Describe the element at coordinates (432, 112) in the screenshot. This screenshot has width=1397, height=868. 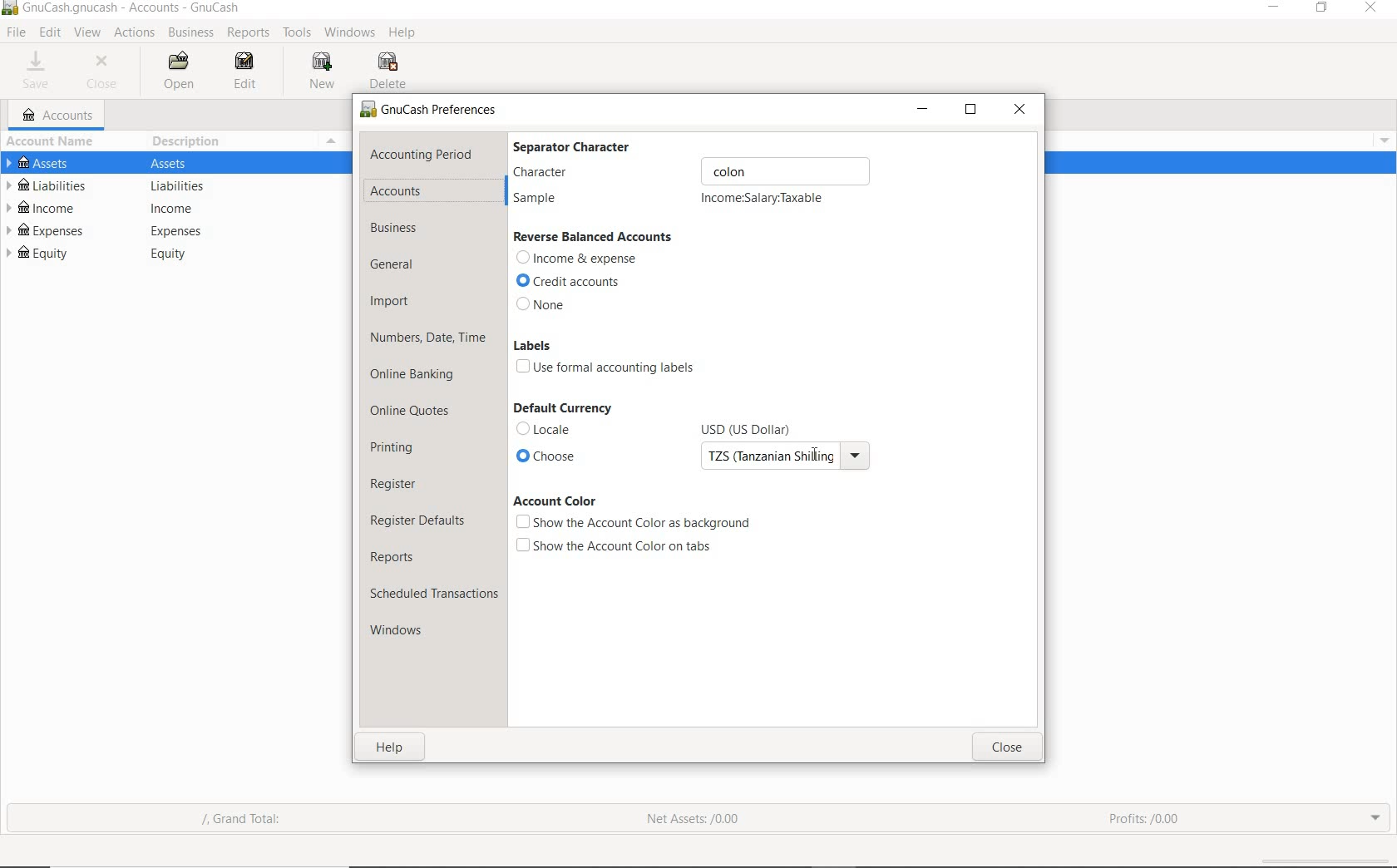
I see `preferences` at that location.